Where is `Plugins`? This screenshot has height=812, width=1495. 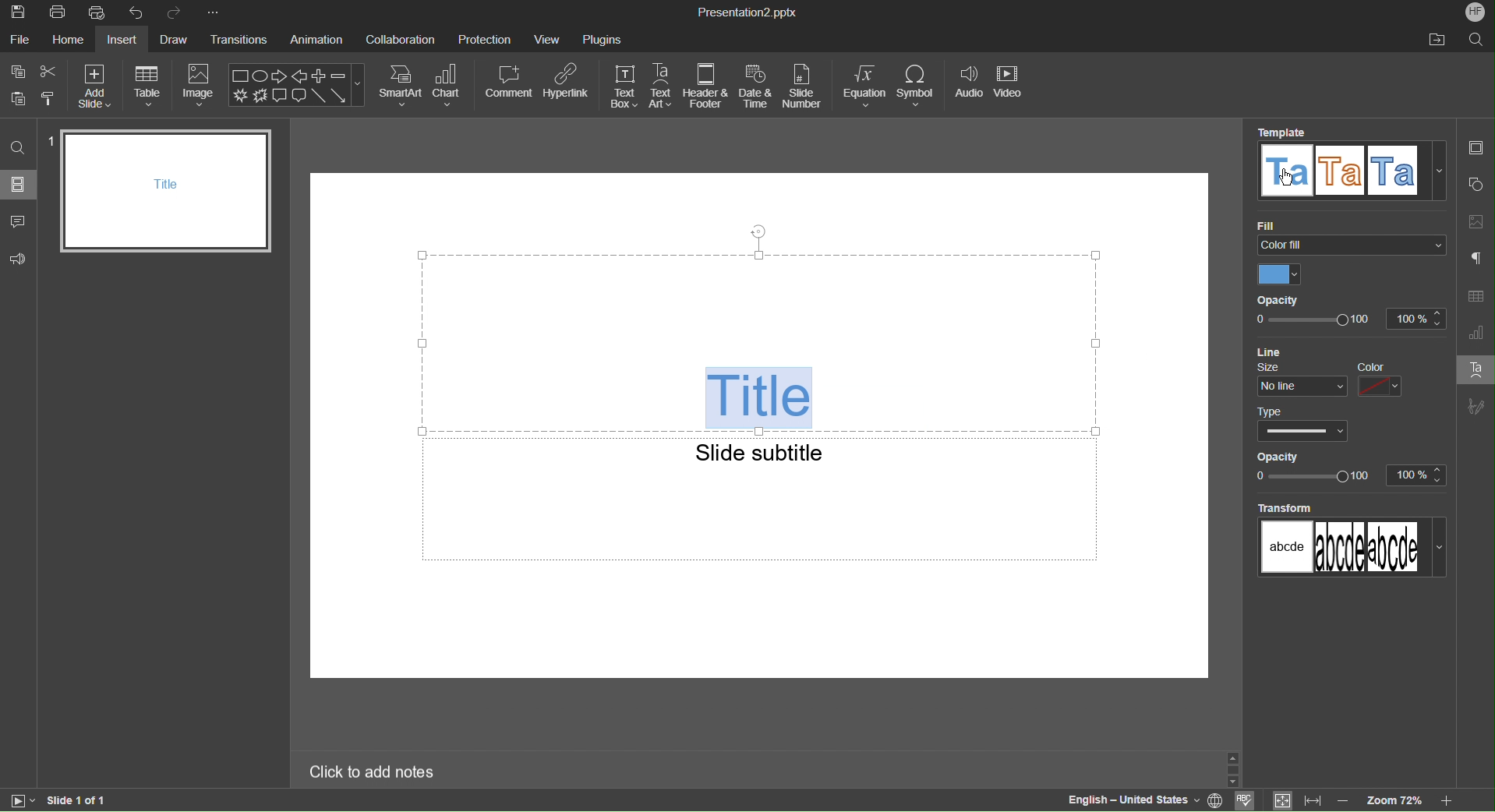 Plugins is located at coordinates (603, 38).